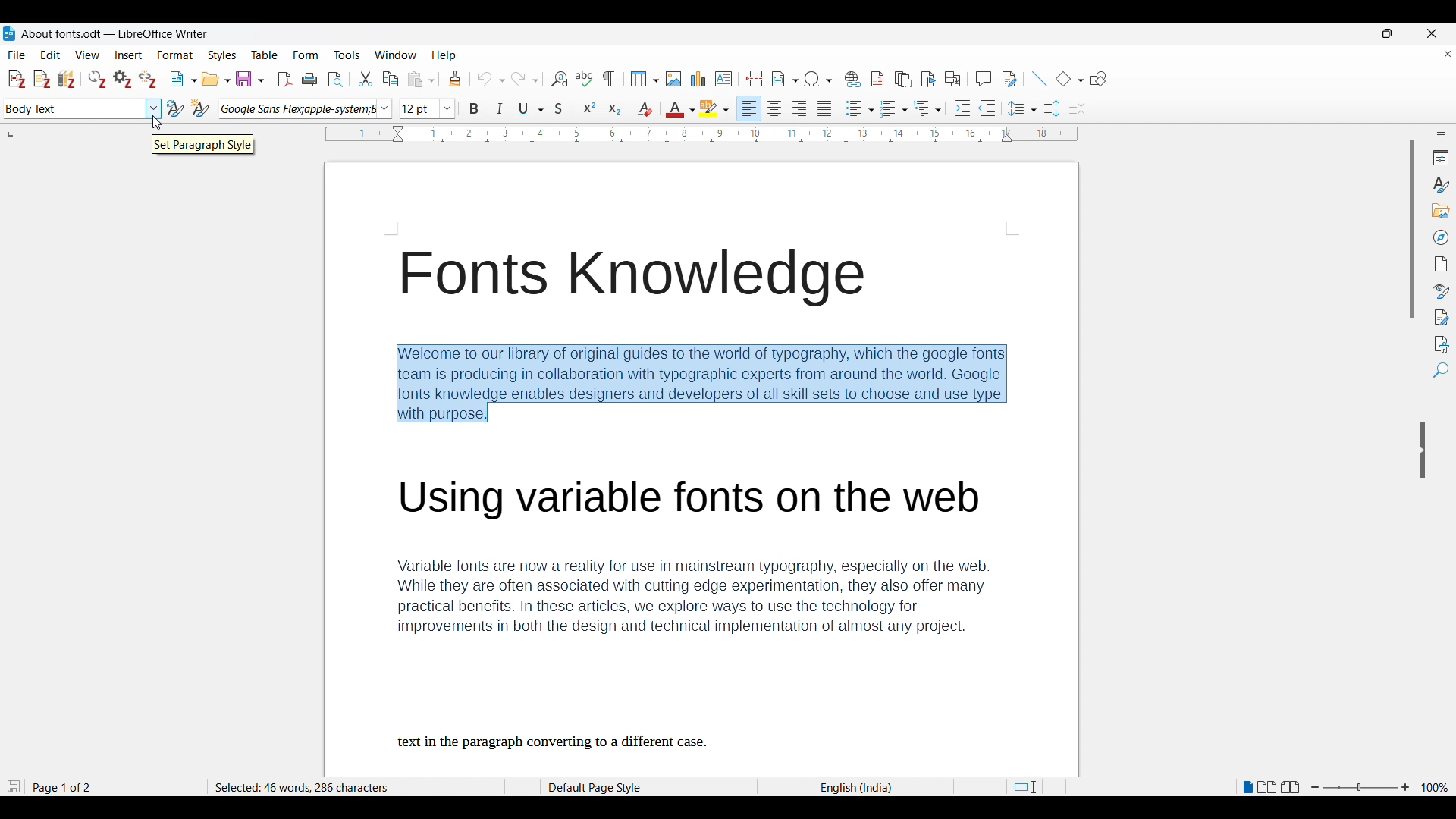  Describe the element at coordinates (1099, 78) in the screenshot. I see `Show draw functions` at that location.